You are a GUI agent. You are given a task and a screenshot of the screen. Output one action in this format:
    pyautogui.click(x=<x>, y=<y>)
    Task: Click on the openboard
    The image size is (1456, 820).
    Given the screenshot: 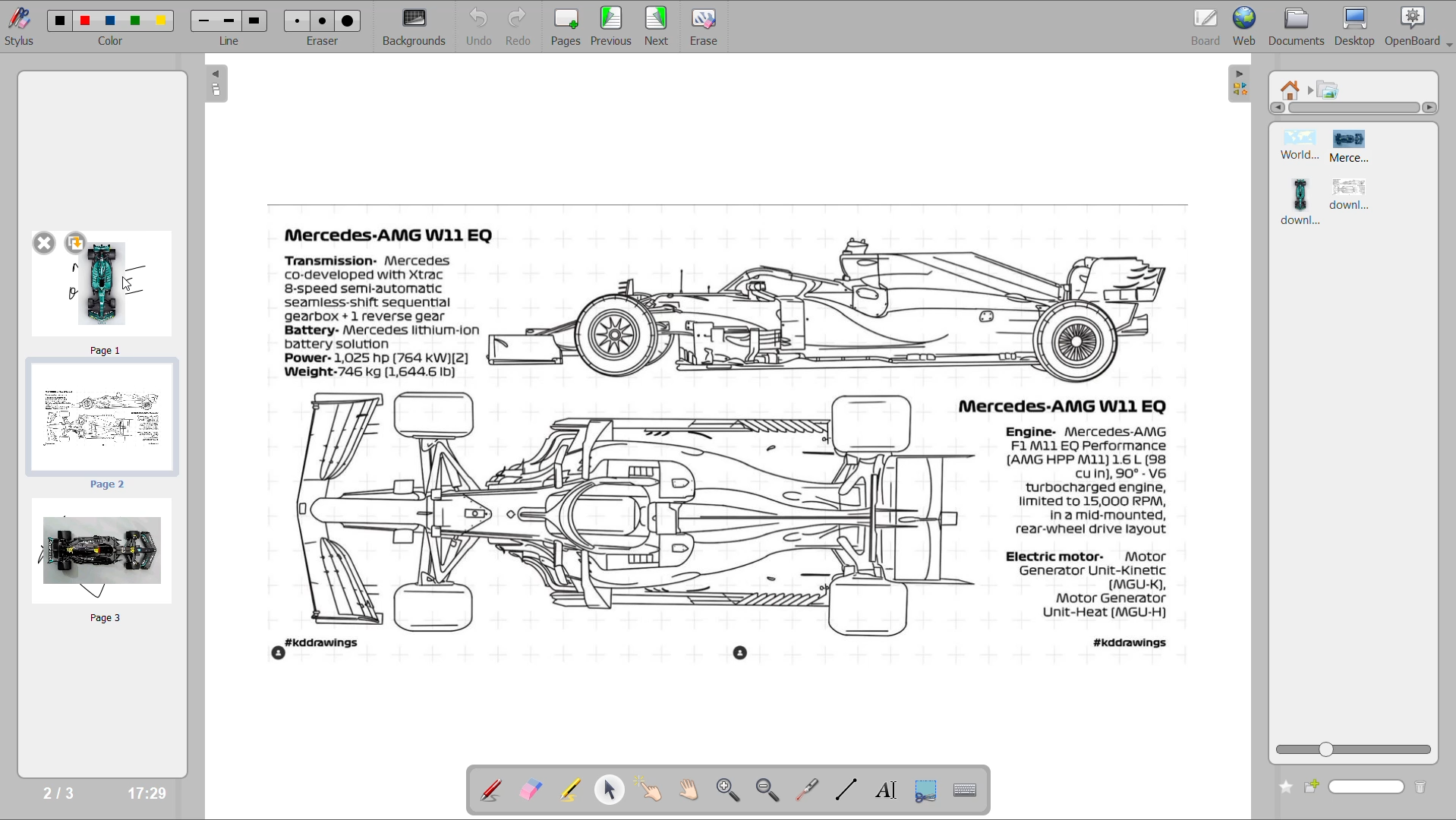 What is the action you would take?
    pyautogui.click(x=1420, y=27)
    